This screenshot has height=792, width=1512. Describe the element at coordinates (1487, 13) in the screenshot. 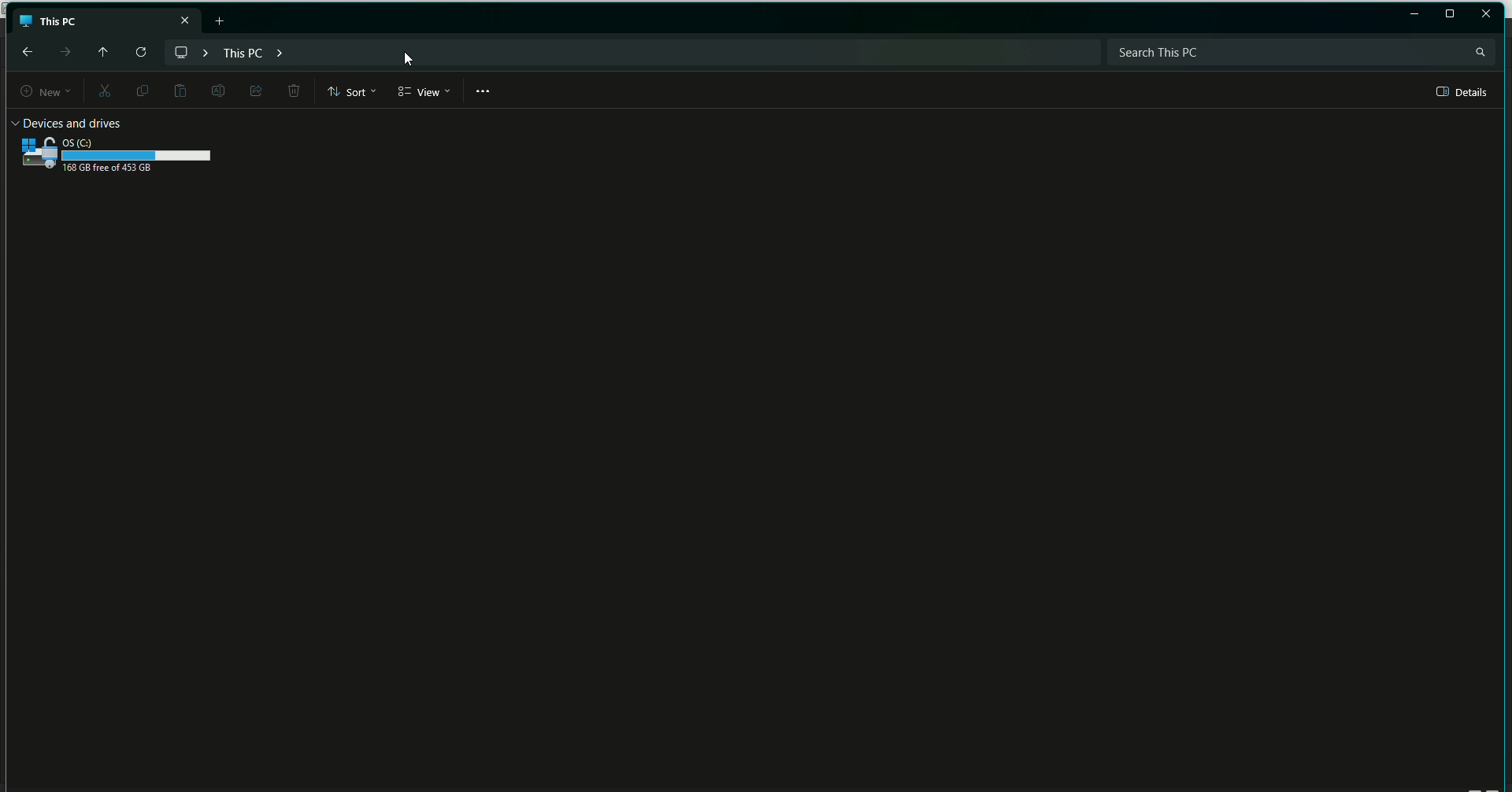

I see `Close` at that location.